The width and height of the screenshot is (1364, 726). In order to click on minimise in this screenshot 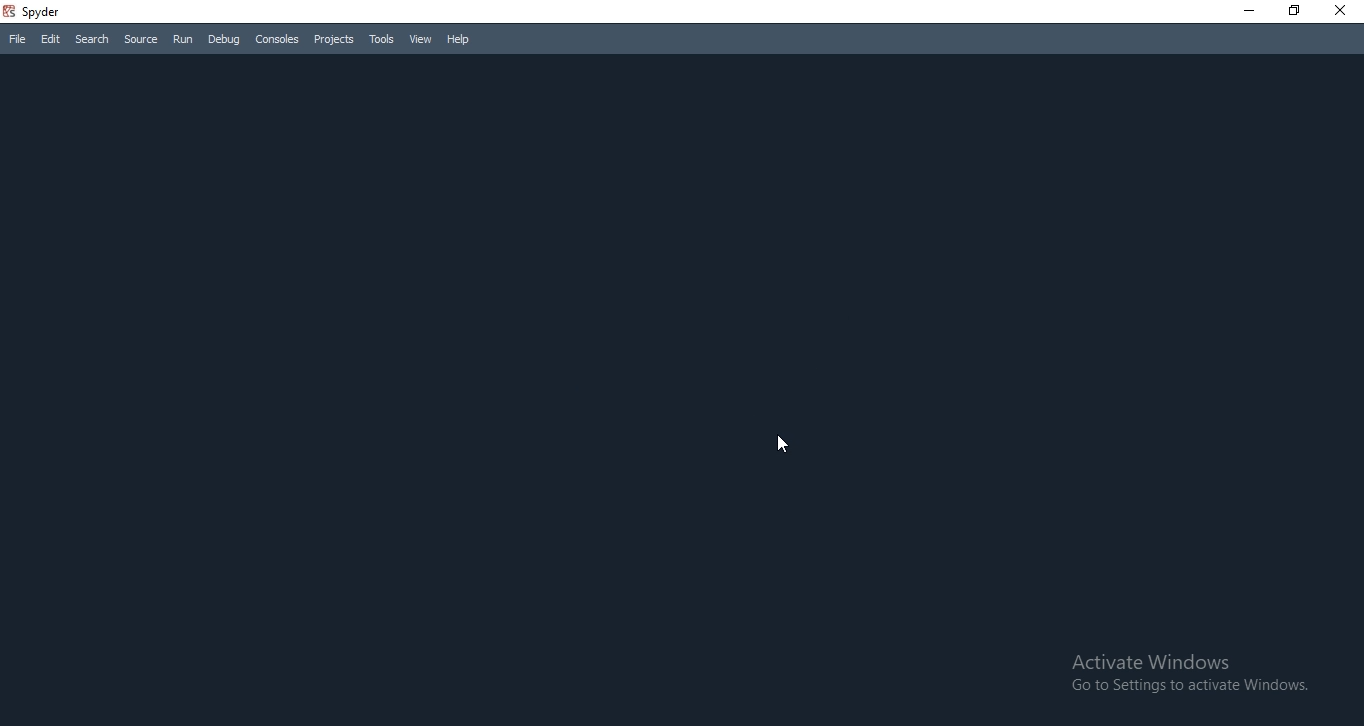, I will do `click(1247, 12)`.